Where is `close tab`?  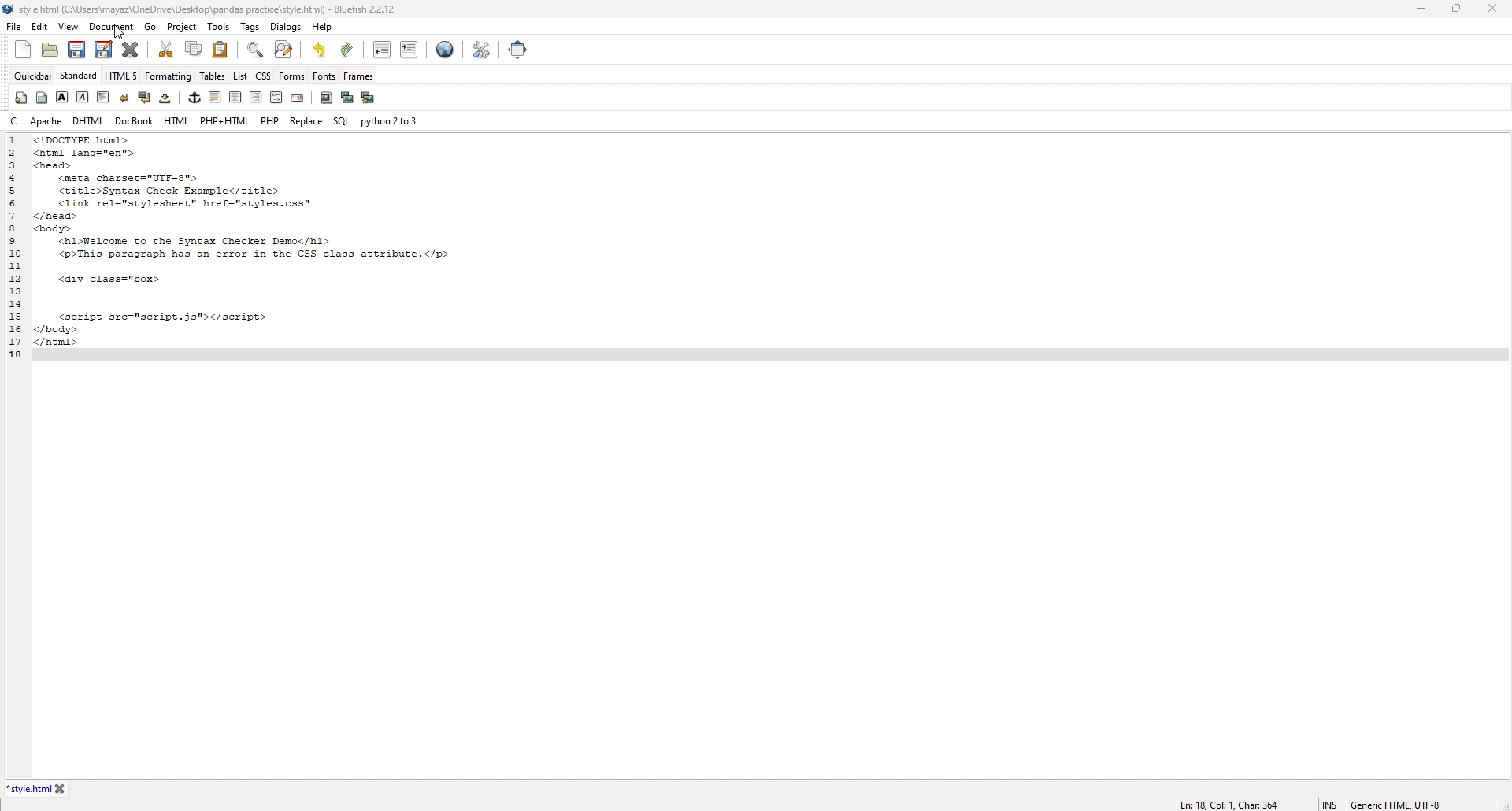
close tab is located at coordinates (61, 790).